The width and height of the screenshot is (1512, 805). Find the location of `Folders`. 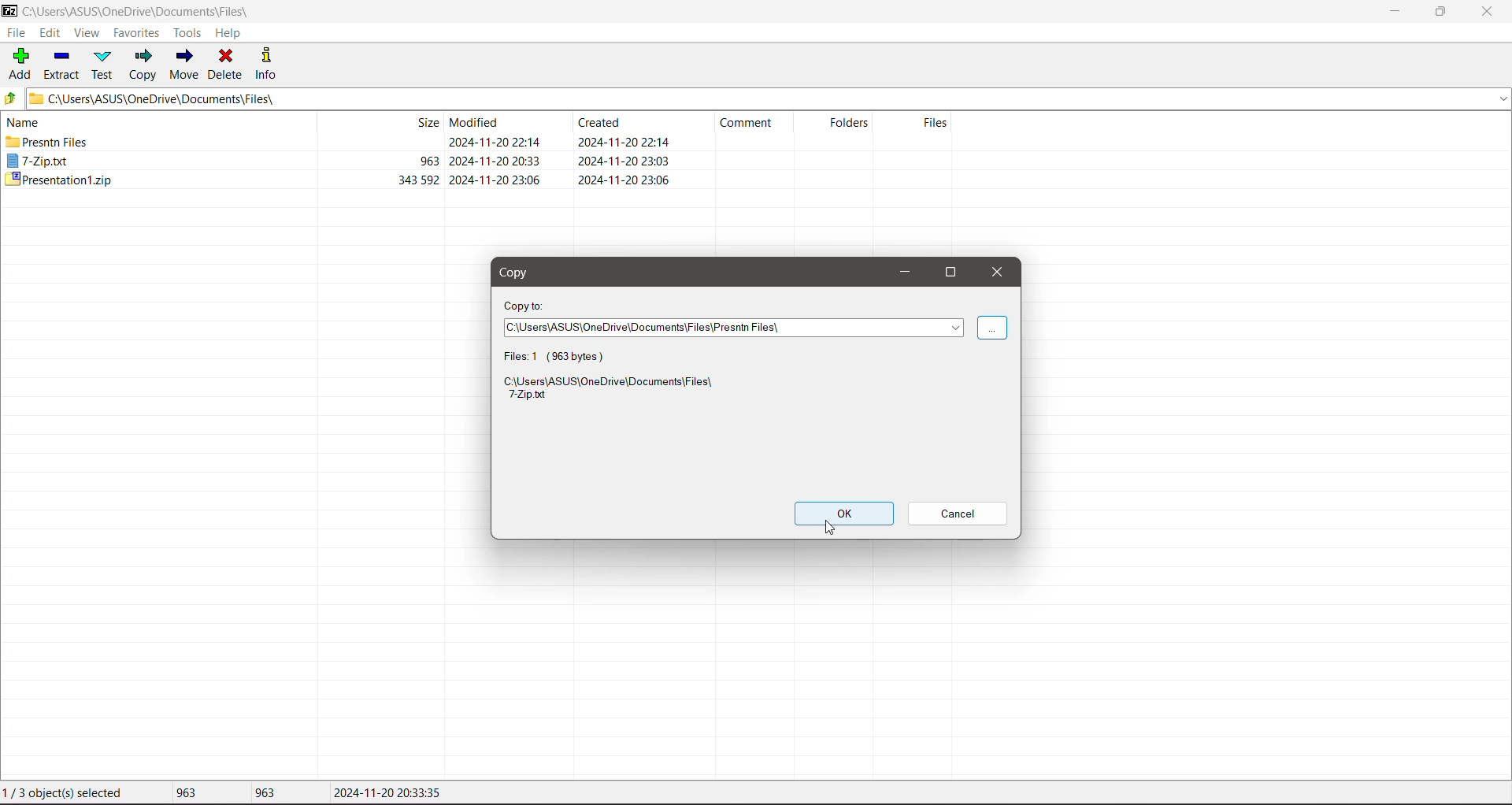

Folders is located at coordinates (843, 128).